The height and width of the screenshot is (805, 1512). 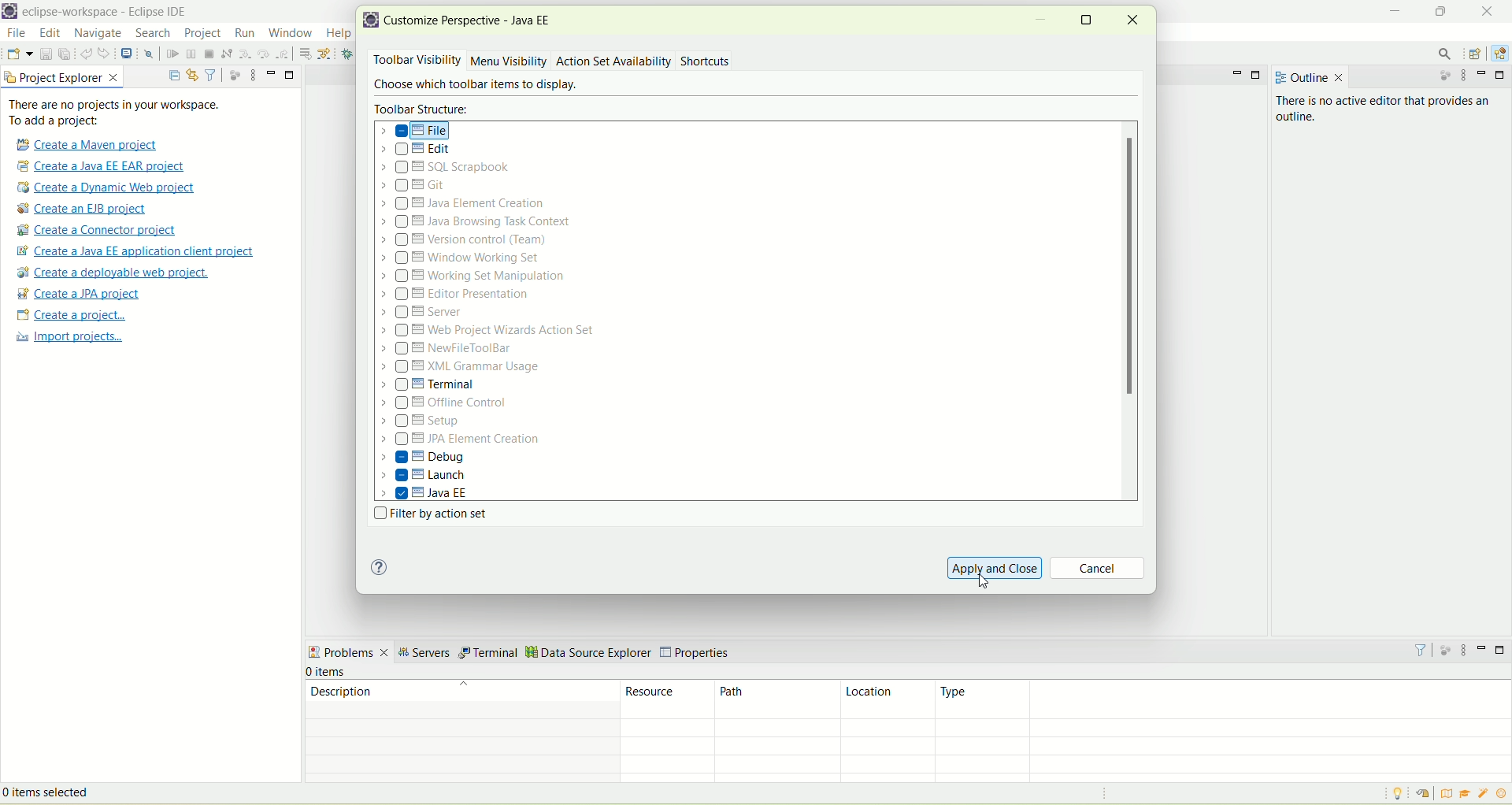 What do you see at coordinates (460, 440) in the screenshot?
I see `JPA element creation` at bounding box center [460, 440].